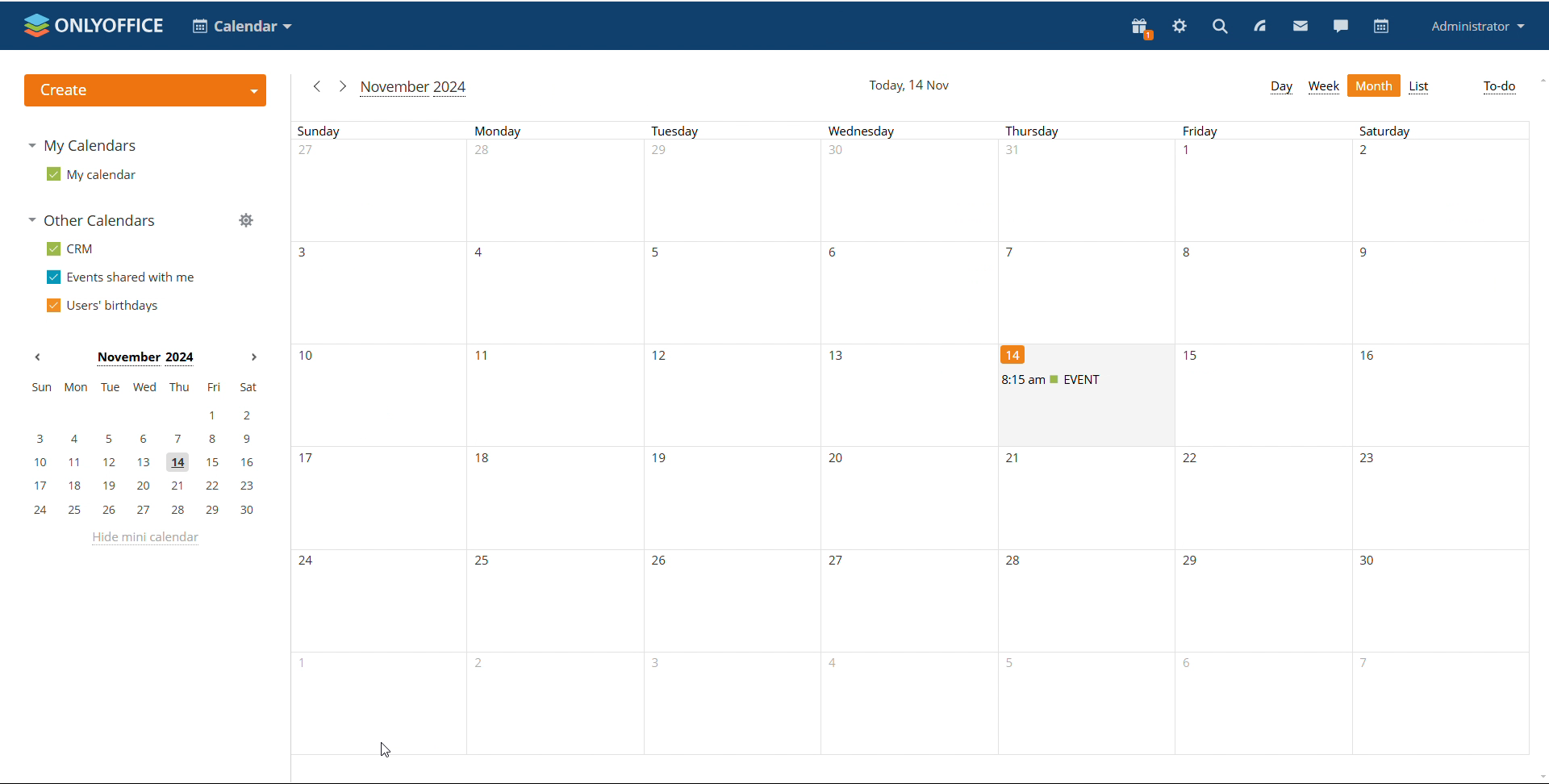 The image size is (1549, 784). What do you see at coordinates (254, 358) in the screenshot?
I see `next month` at bounding box center [254, 358].